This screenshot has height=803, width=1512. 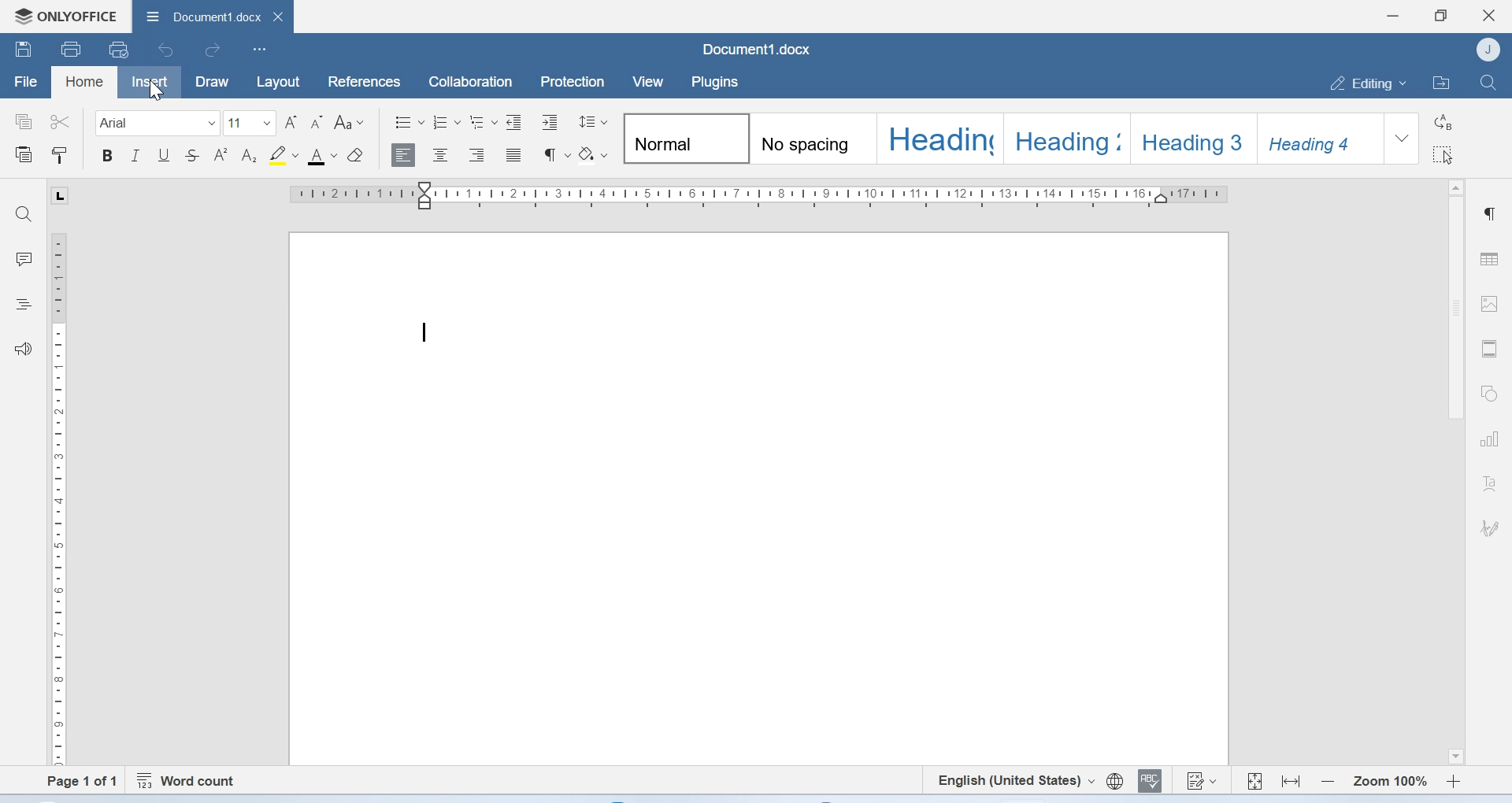 What do you see at coordinates (685, 139) in the screenshot?
I see `Normal` at bounding box center [685, 139].